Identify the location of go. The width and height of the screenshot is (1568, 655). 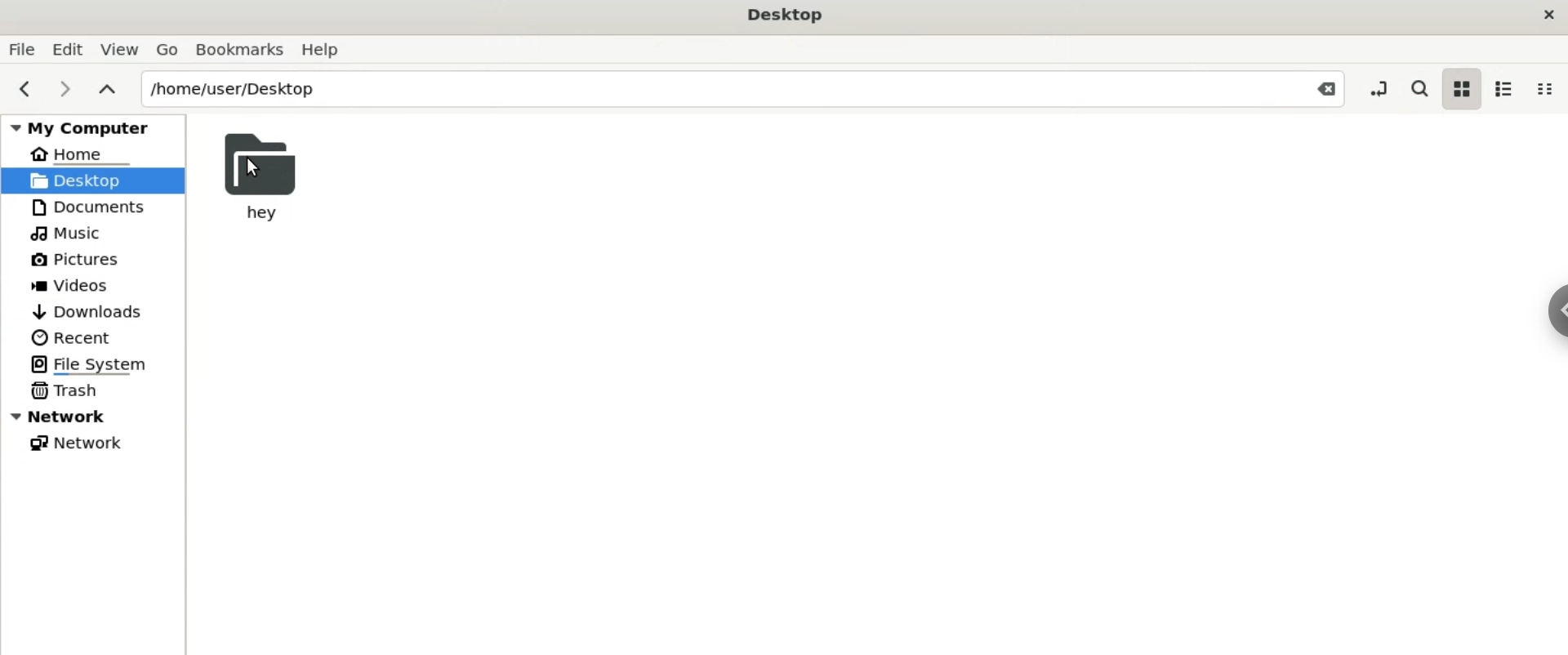
(167, 50).